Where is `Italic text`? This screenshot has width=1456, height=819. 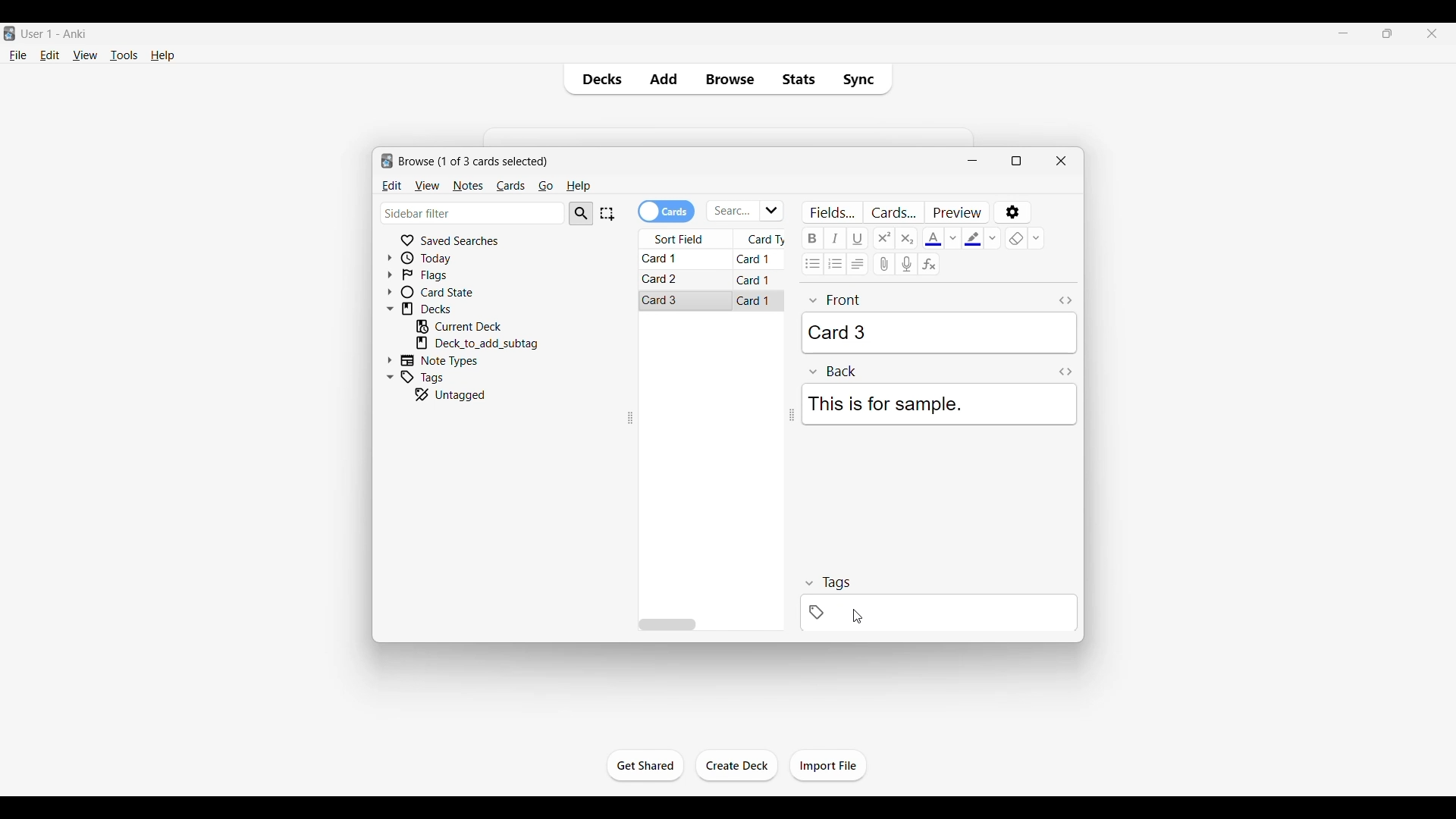
Italic text is located at coordinates (835, 238).